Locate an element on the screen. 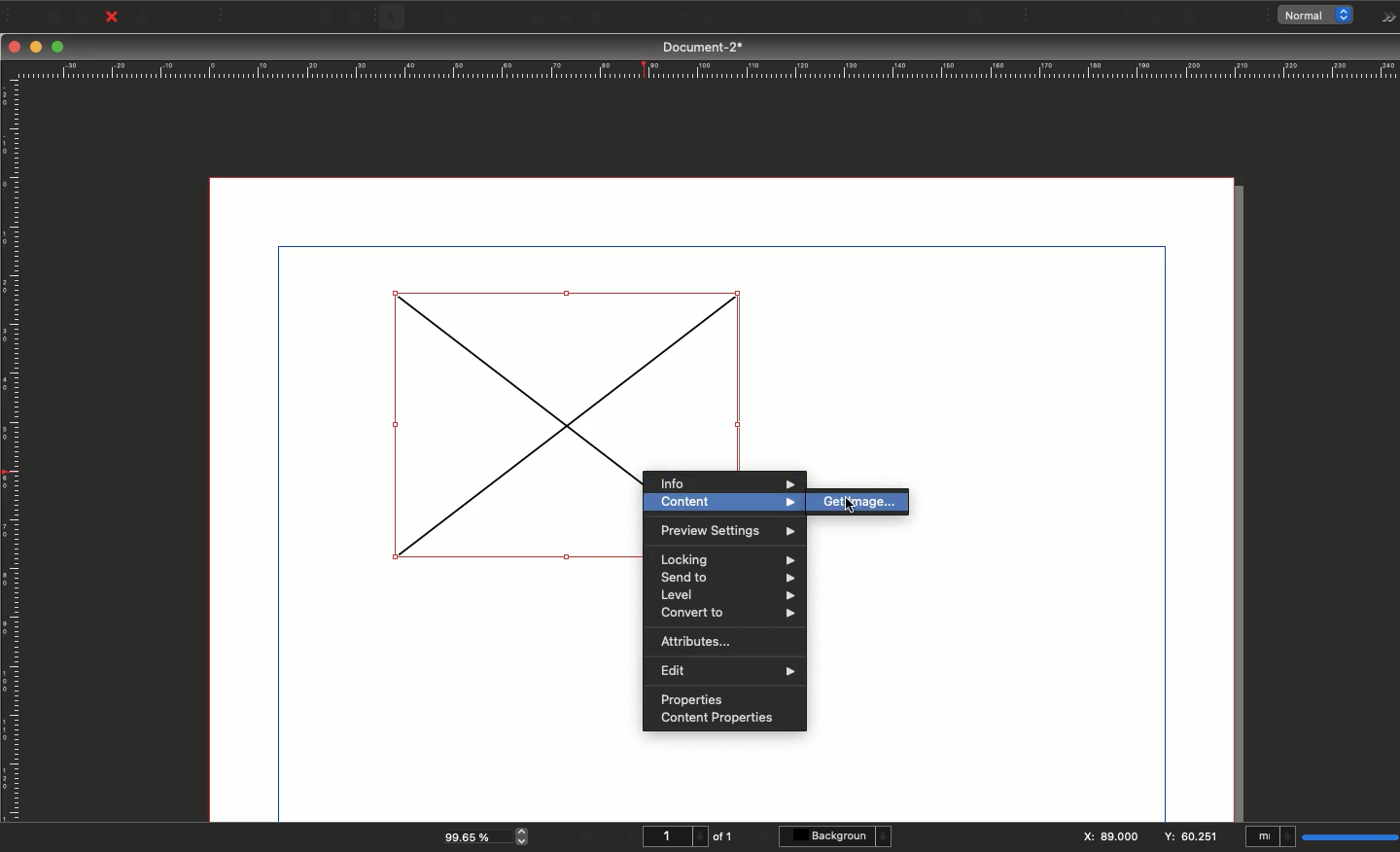 Image resolution: width=1400 pixels, height=852 pixels. cursor is located at coordinates (851, 507).